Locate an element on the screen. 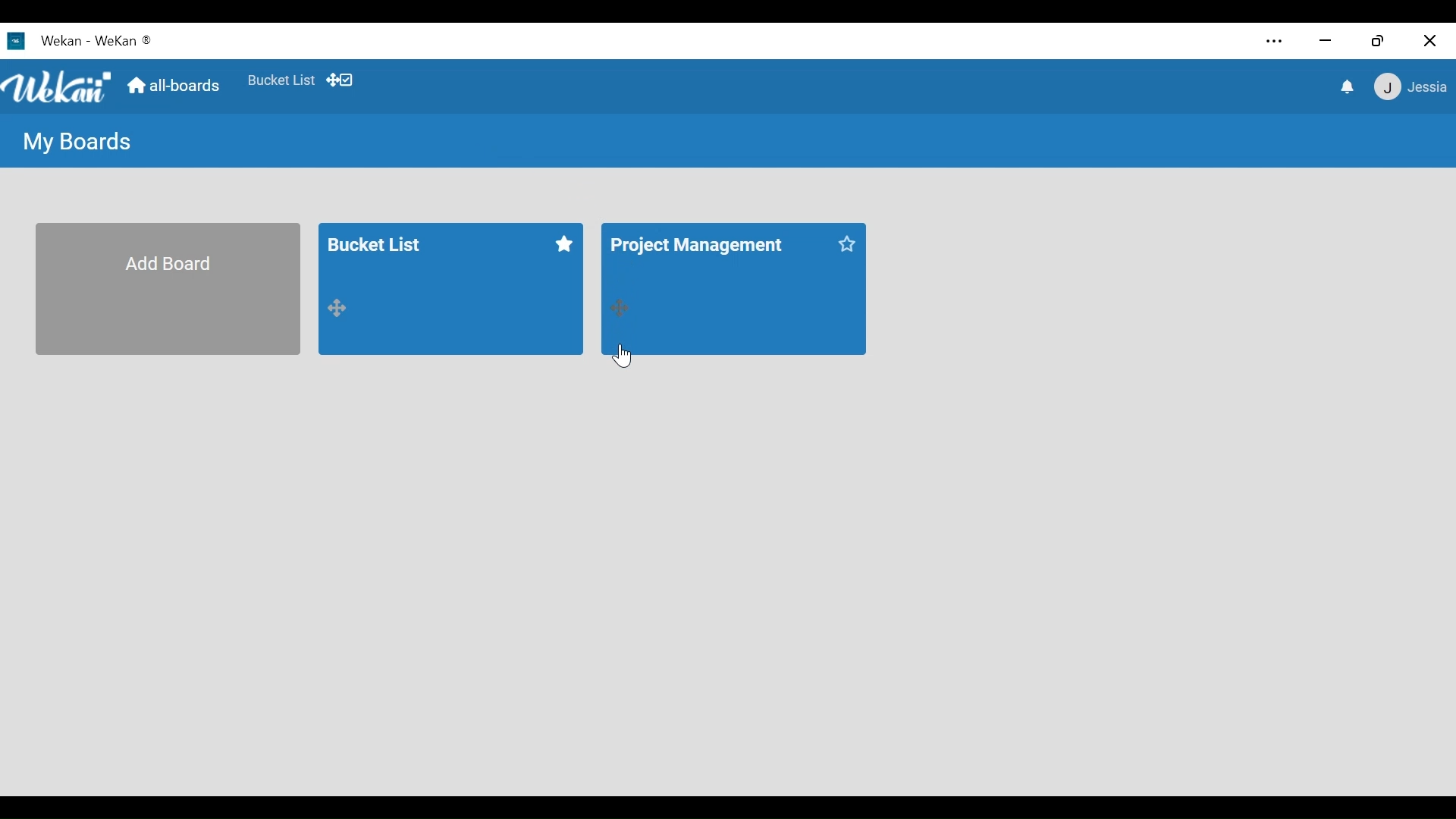  close is located at coordinates (1427, 38).